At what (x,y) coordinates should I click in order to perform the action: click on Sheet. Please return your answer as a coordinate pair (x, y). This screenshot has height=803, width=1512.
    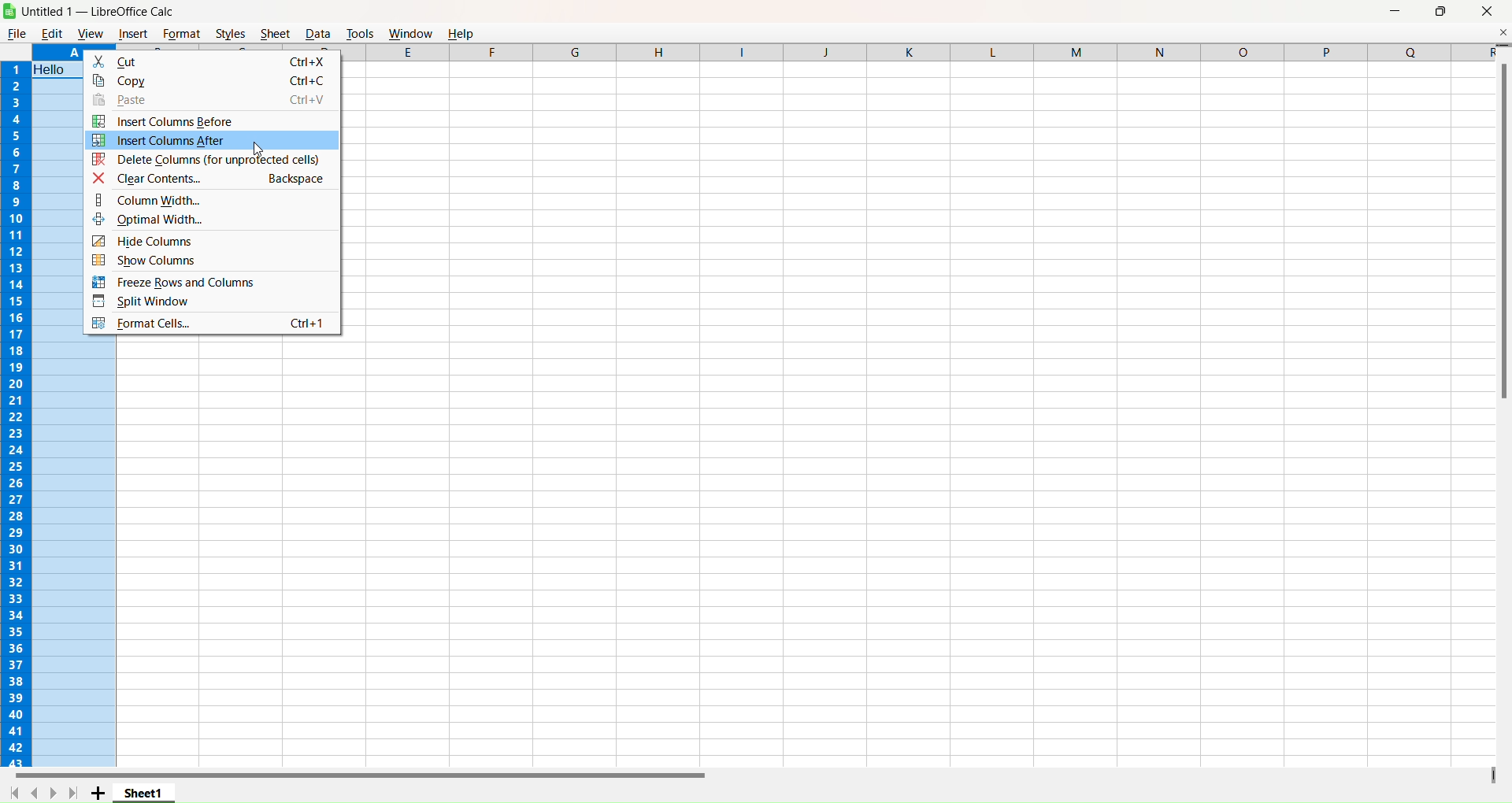
    Looking at the image, I should click on (274, 33).